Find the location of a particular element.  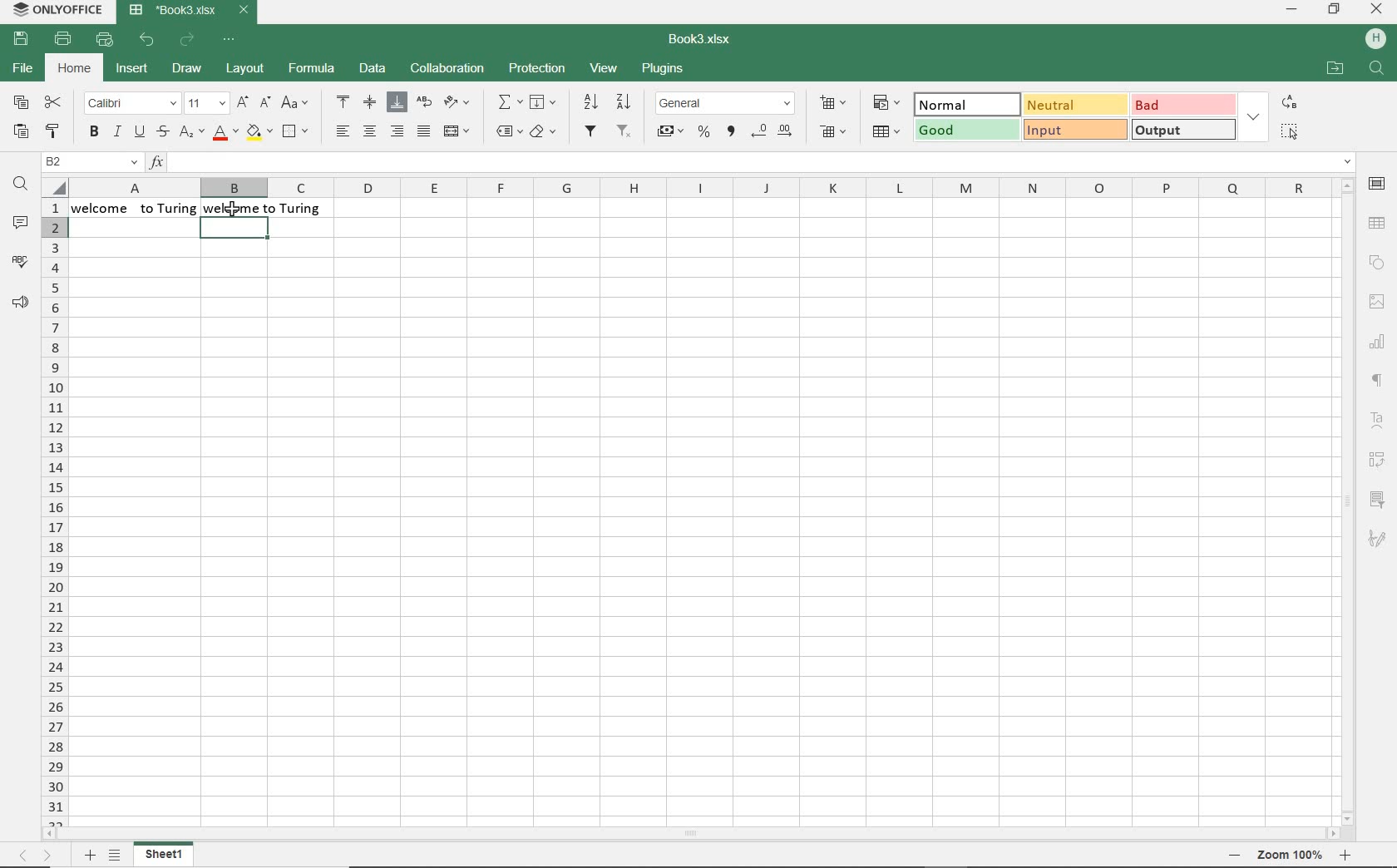

layout is located at coordinates (247, 70).